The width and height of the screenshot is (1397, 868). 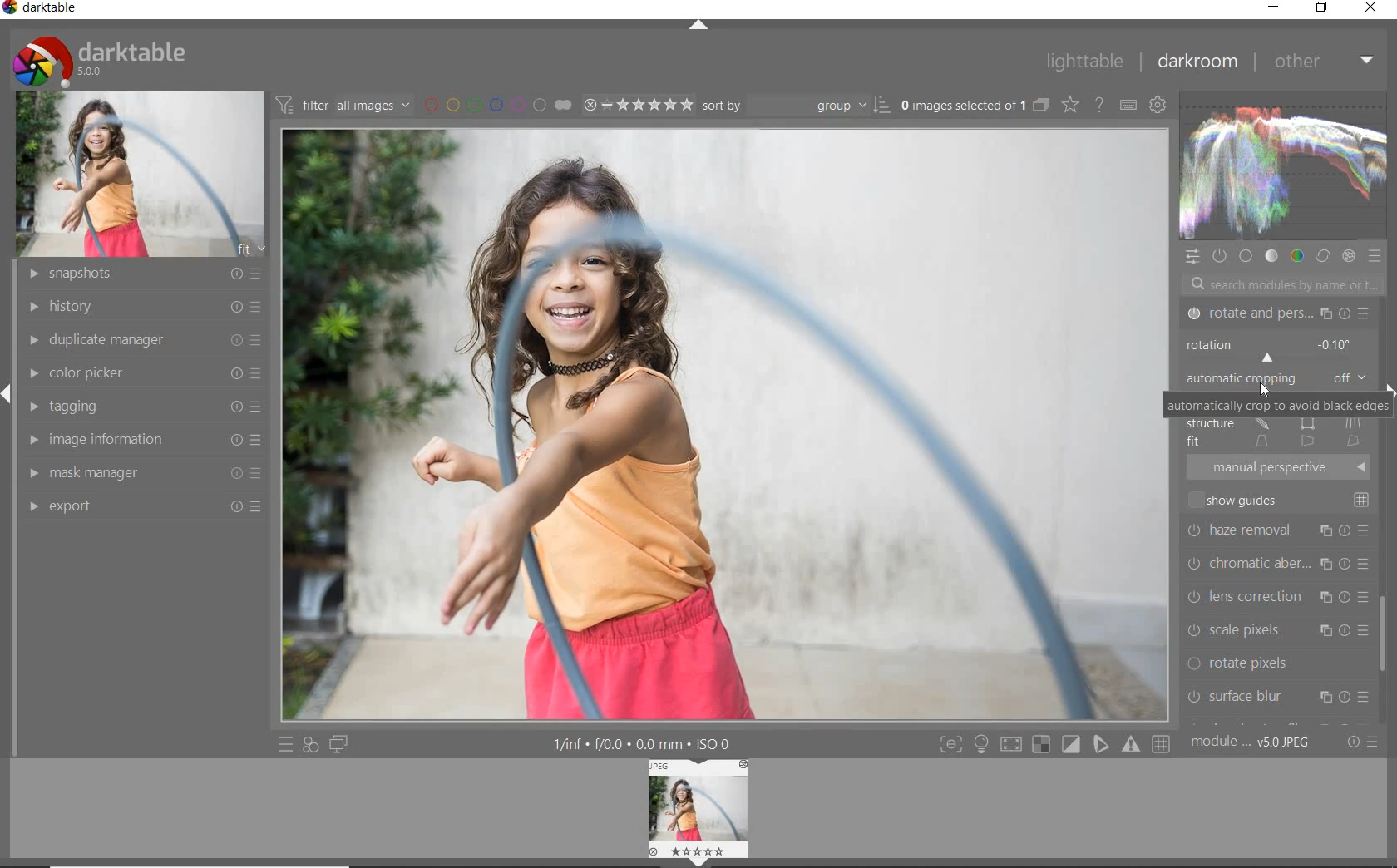 What do you see at coordinates (1375, 258) in the screenshot?
I see `preset ` at bounding box center [1375, 258].